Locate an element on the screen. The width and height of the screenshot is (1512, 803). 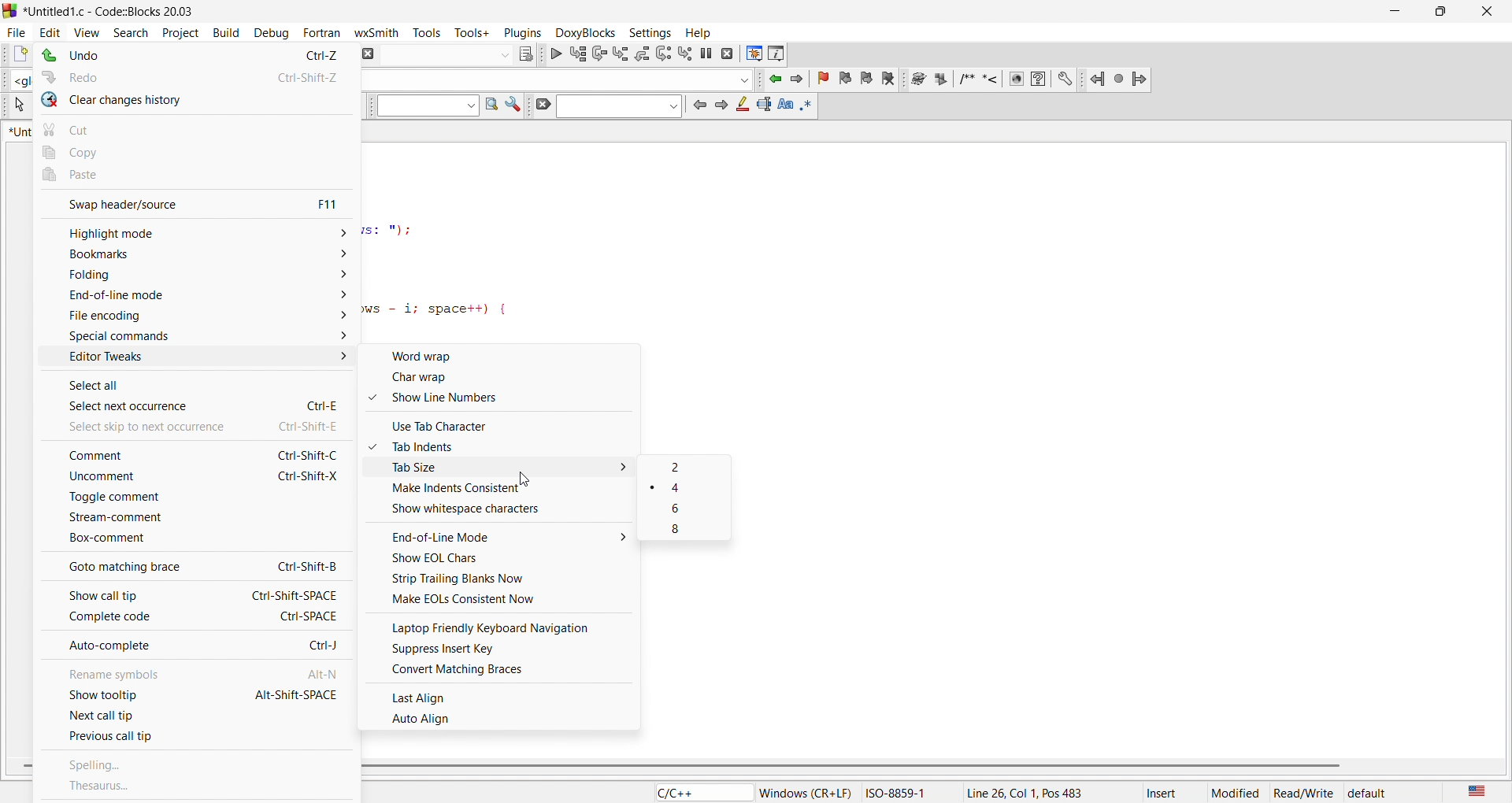
complete code  is located at coordinates (141, 620).